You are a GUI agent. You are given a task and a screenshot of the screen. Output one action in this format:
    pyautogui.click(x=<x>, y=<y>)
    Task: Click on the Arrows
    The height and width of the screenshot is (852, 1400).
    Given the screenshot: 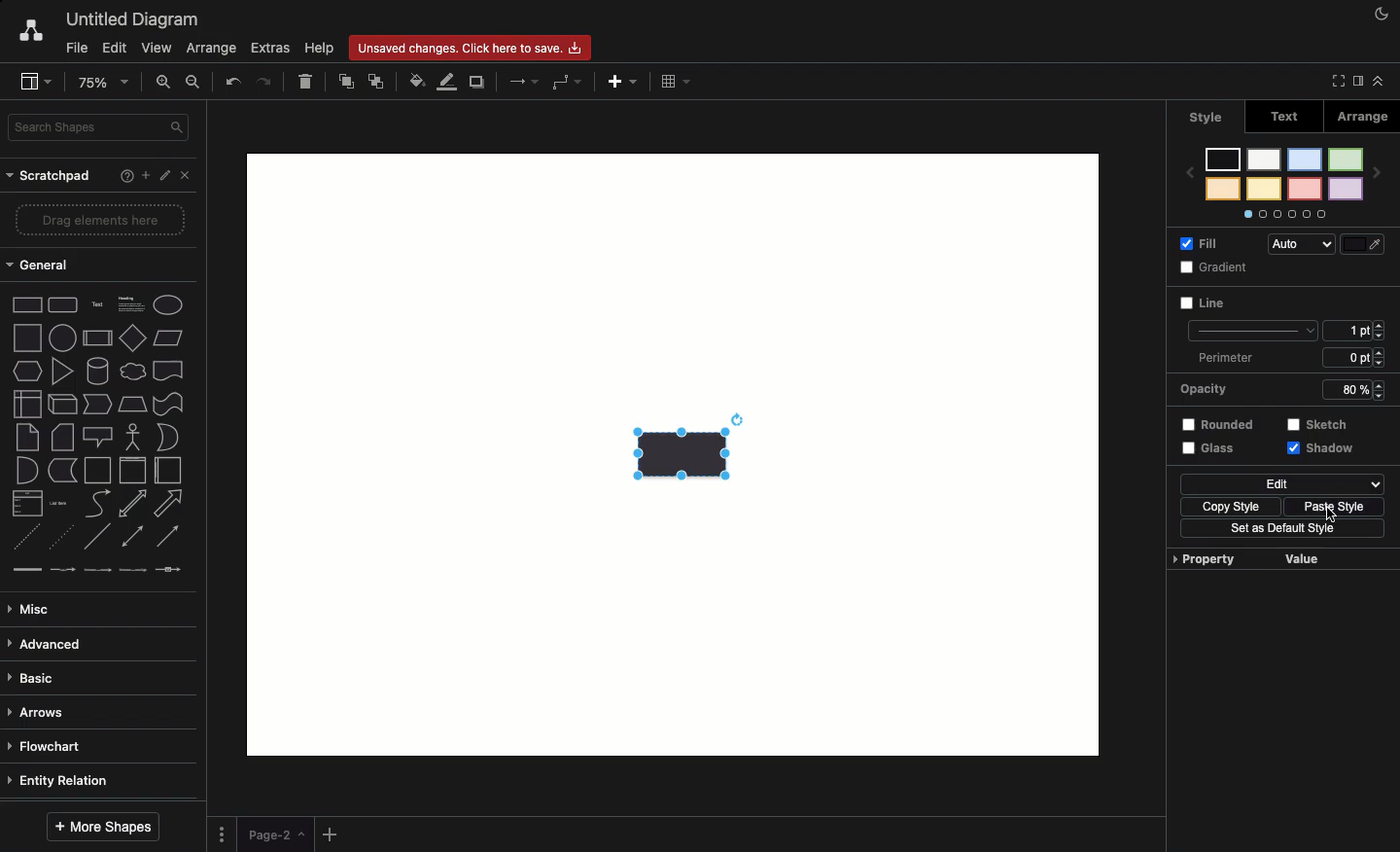 What is the action you would take?
    pyautogui.click(x=519, y=81)
    